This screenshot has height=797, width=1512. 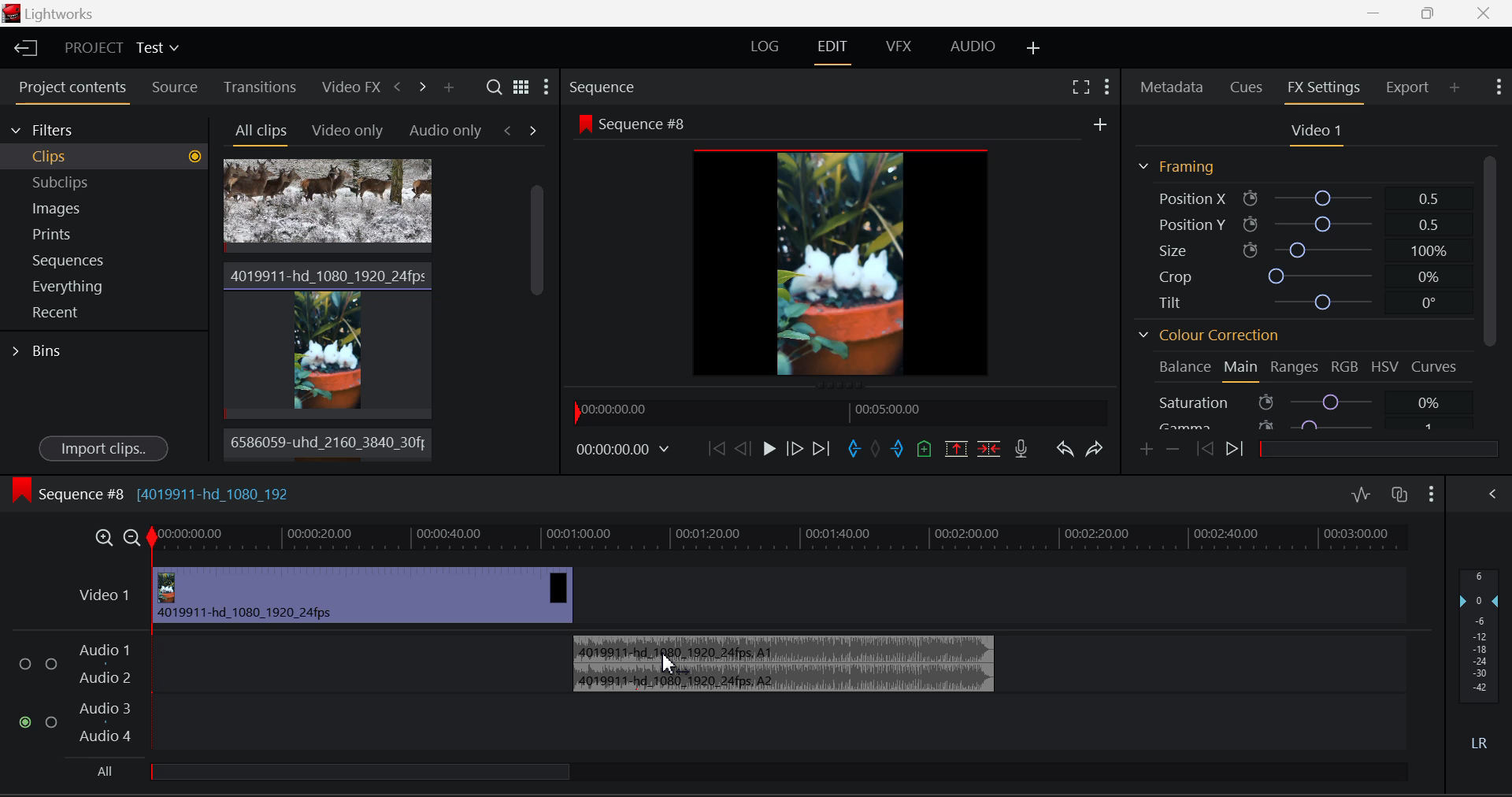 I want to click on Add keyframe, so click(x=1147, y=450).